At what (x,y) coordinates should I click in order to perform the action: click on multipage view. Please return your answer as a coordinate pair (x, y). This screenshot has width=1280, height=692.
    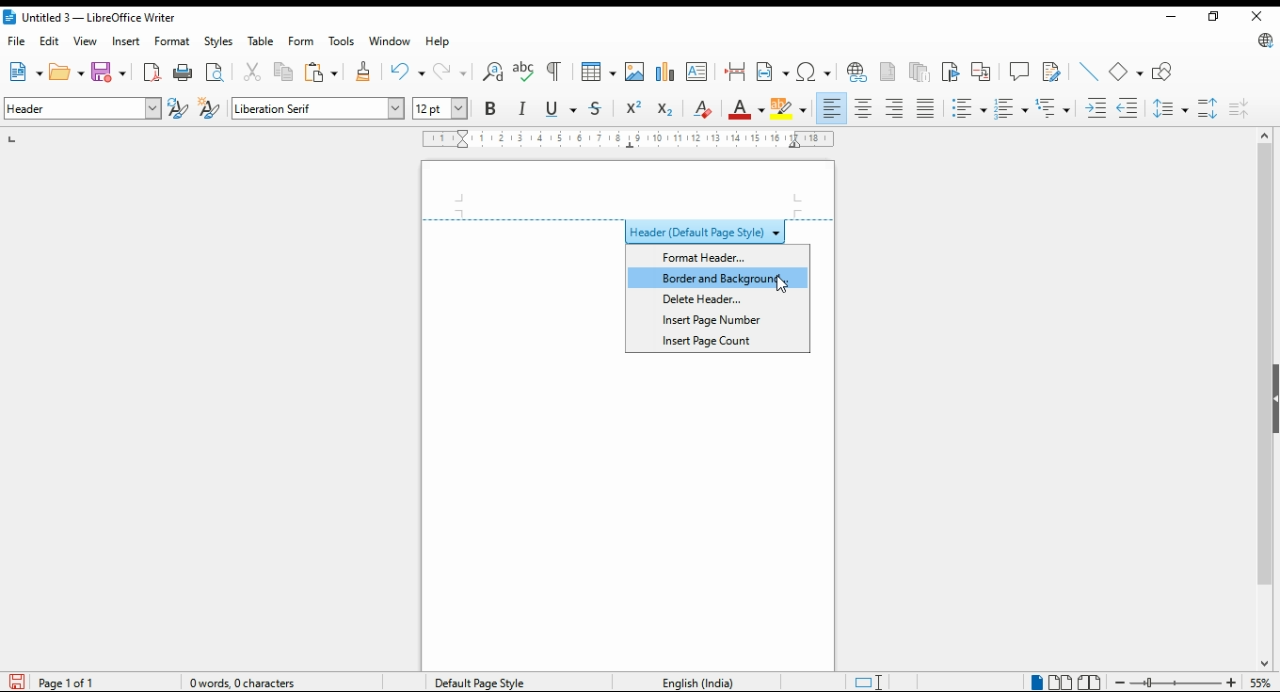
    Looking at the image, I should click on (1062, 683).